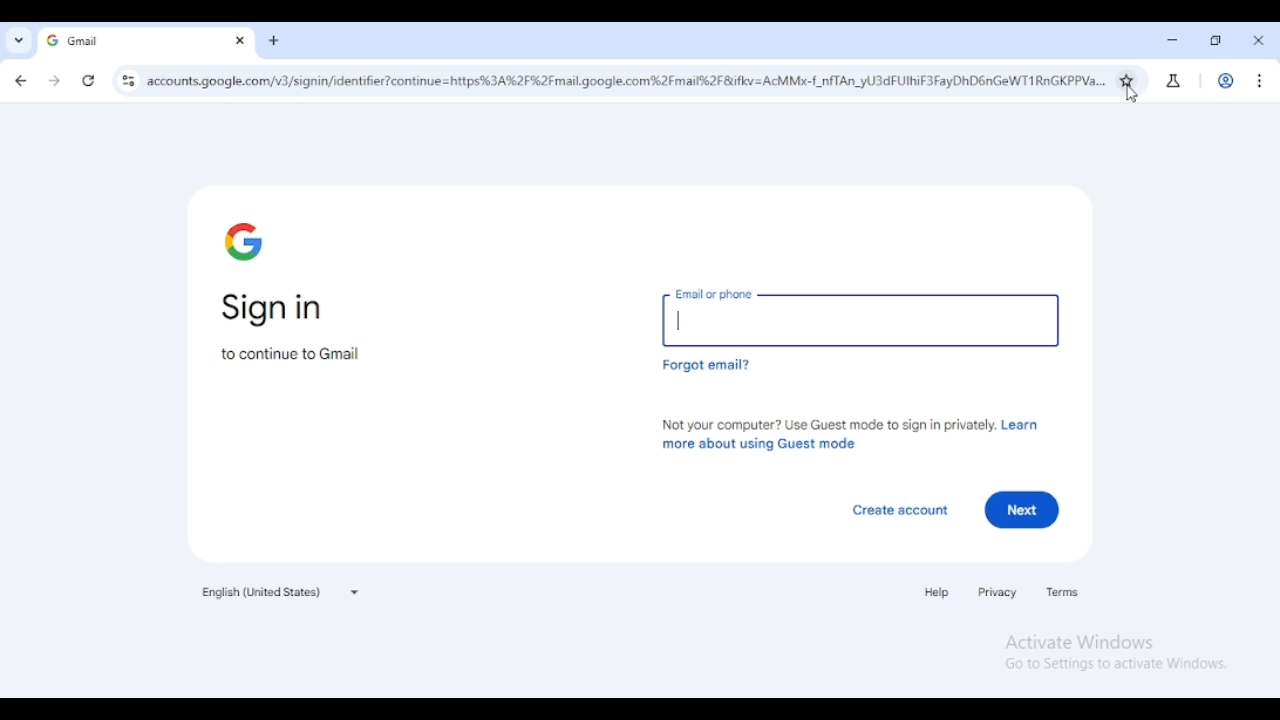  I want to click on close tab, so click(240, 40).